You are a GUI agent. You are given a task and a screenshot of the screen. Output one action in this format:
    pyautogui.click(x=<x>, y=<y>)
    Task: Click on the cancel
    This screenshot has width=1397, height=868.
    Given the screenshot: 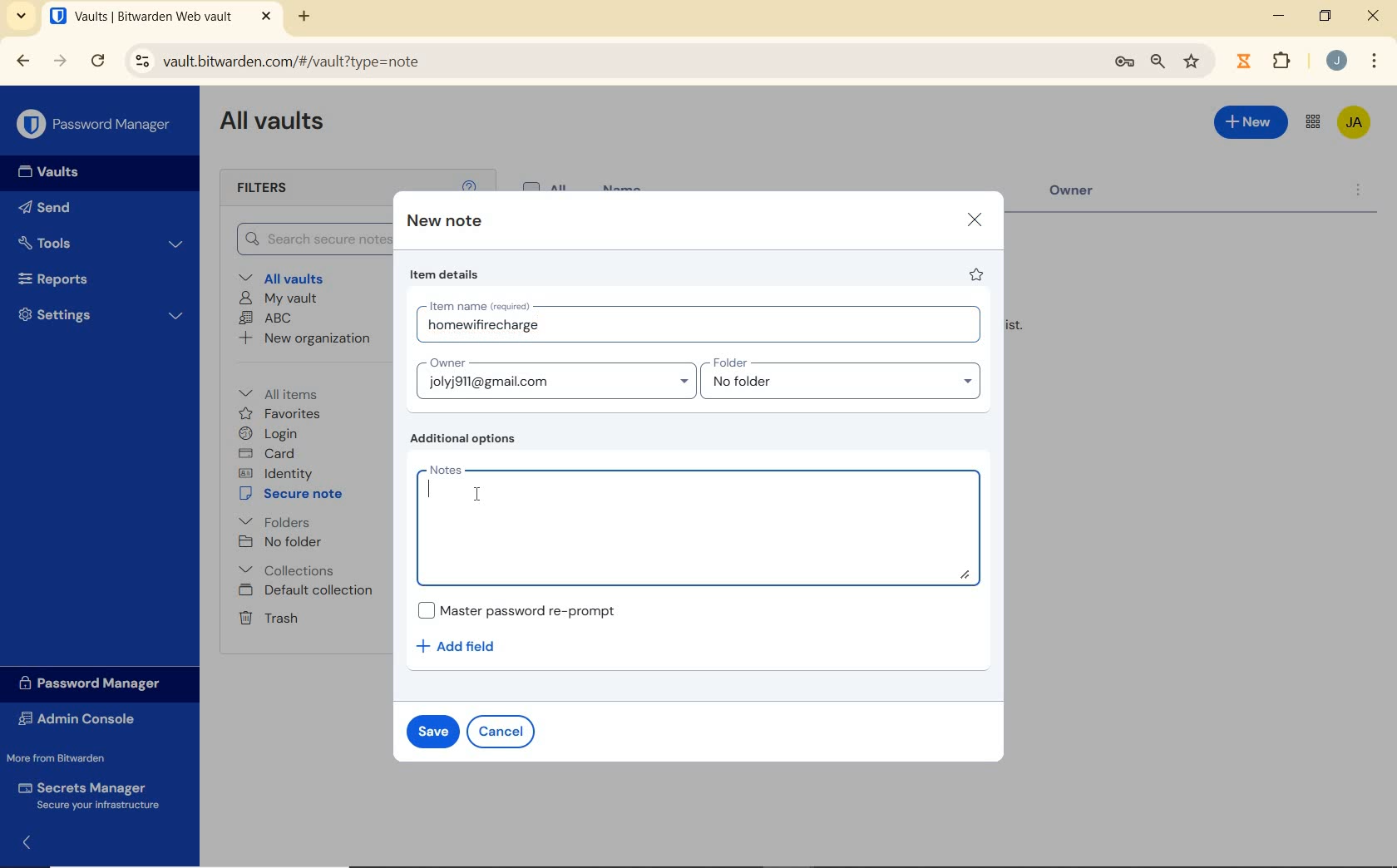 What is the action you would take?
    pyautogui.click(x=501, y=732)
    